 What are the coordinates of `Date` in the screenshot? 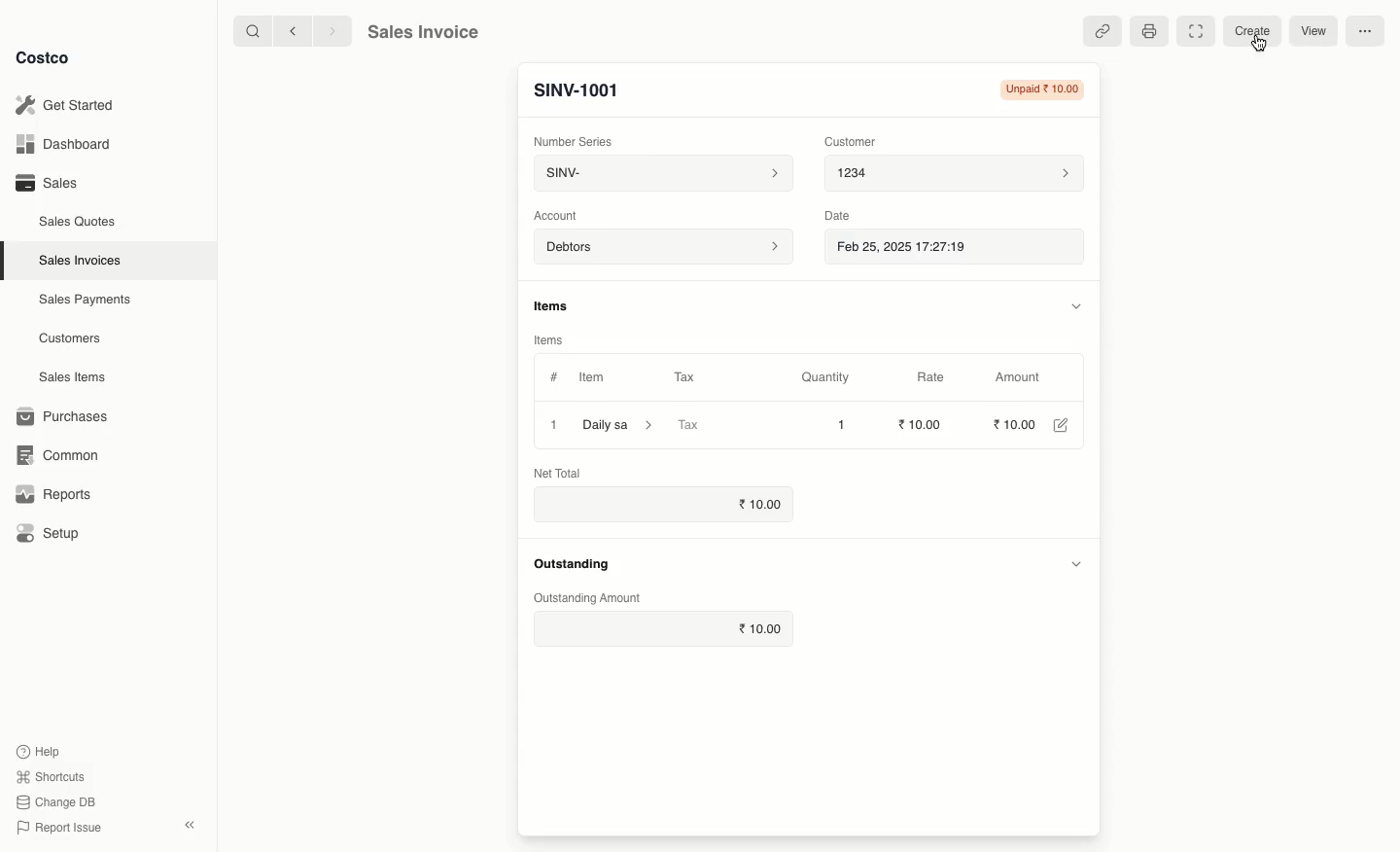 It's located at (842, 218).